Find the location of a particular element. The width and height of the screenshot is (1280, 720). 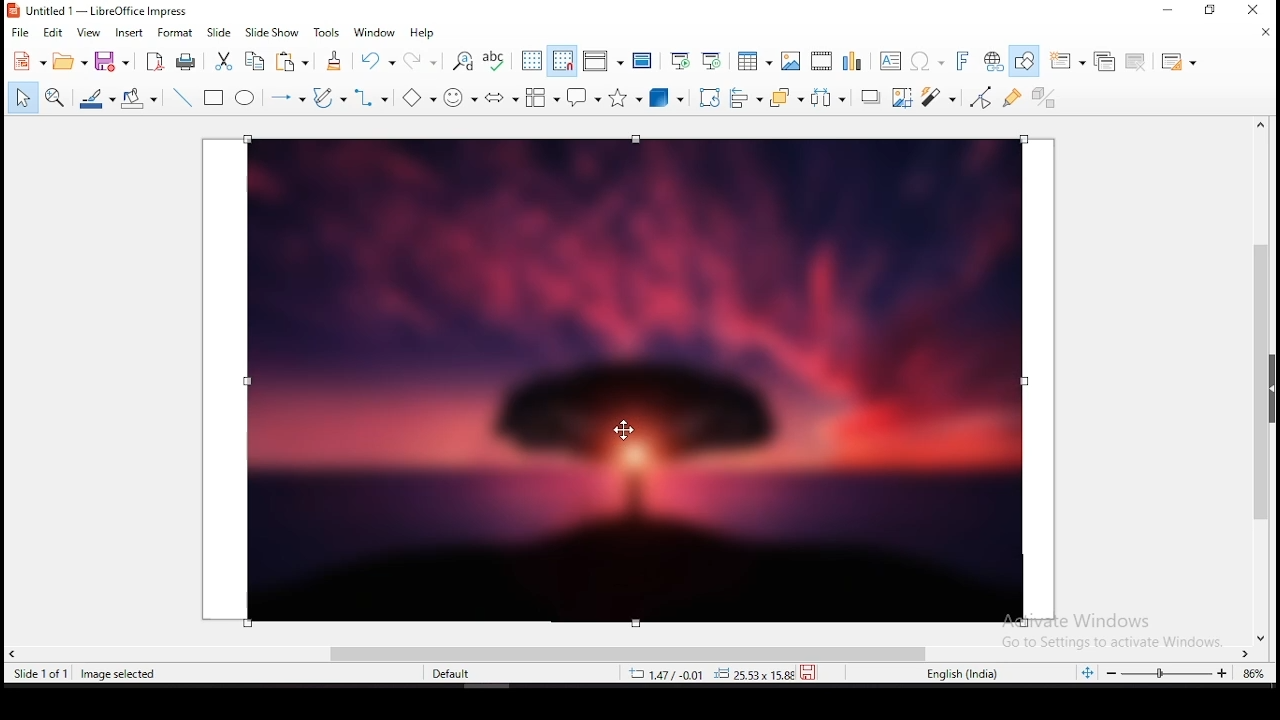

file is located at coordinates (18, 33).